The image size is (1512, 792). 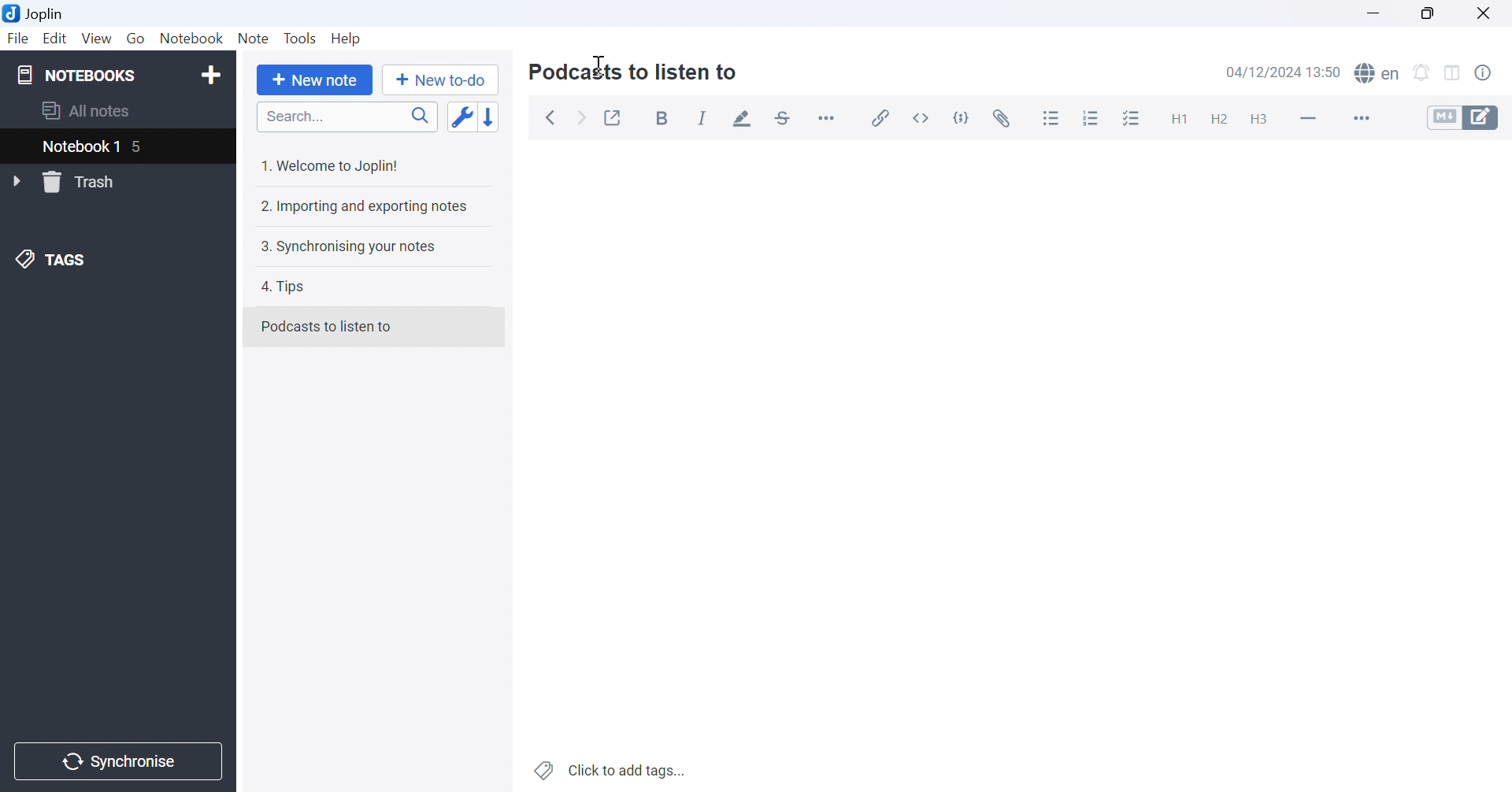 I want to click on Toggle external editing, so click(x=613, y=116).